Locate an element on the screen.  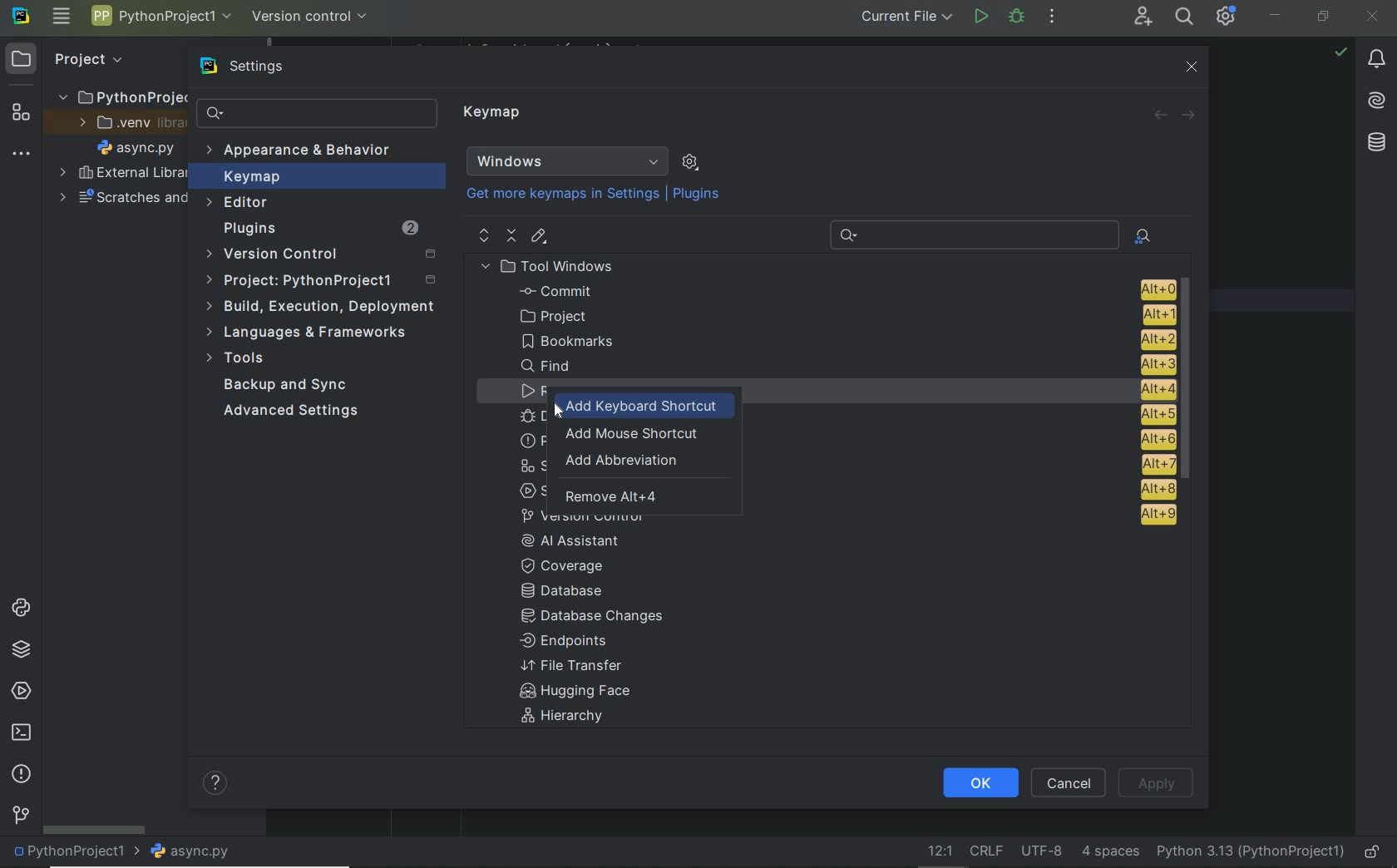
Keymap is located at coordinates (317, 176).